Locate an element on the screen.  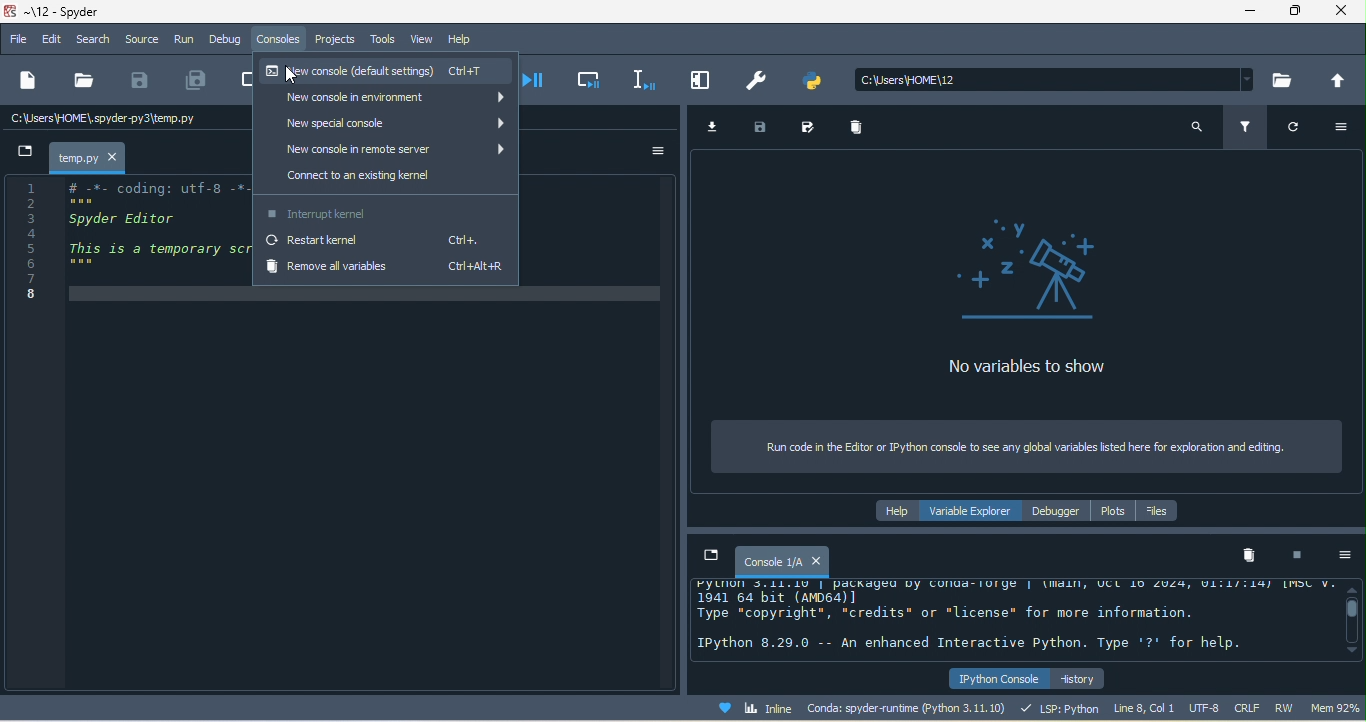
browse tabs is located at coordinates (709, 556).